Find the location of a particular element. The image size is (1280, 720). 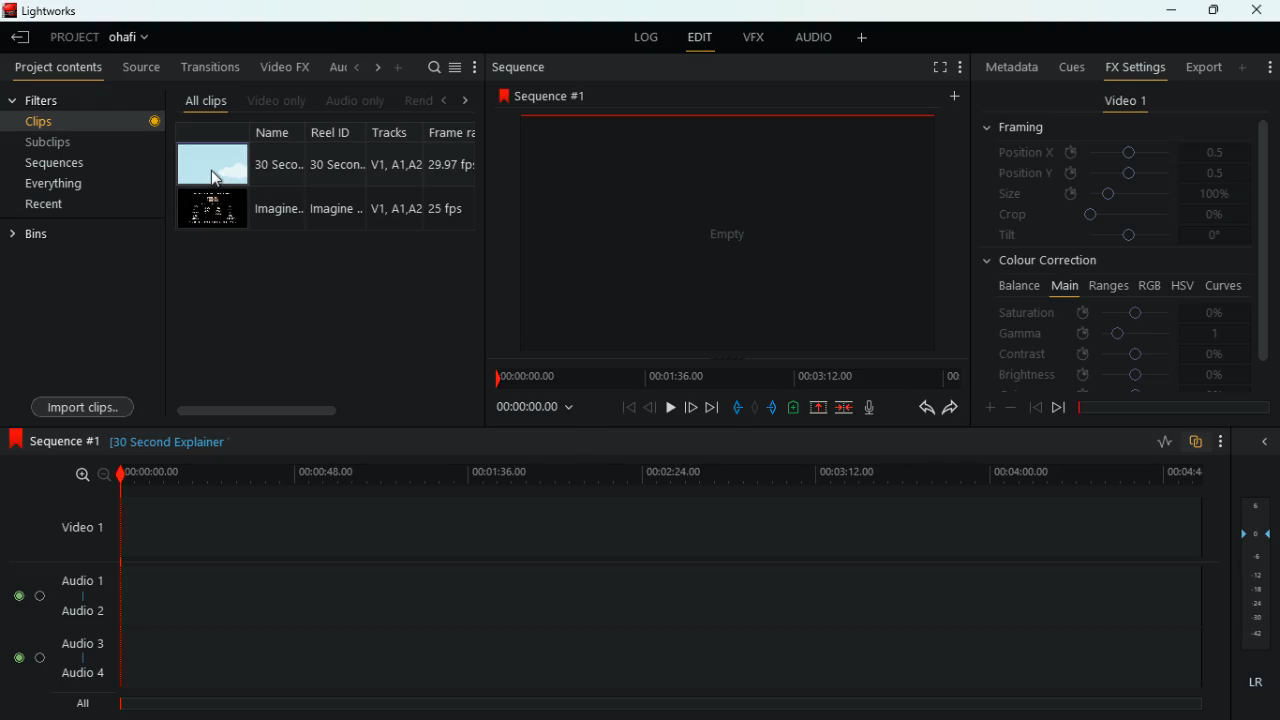

minimize is located at coordinates (1264, 440).